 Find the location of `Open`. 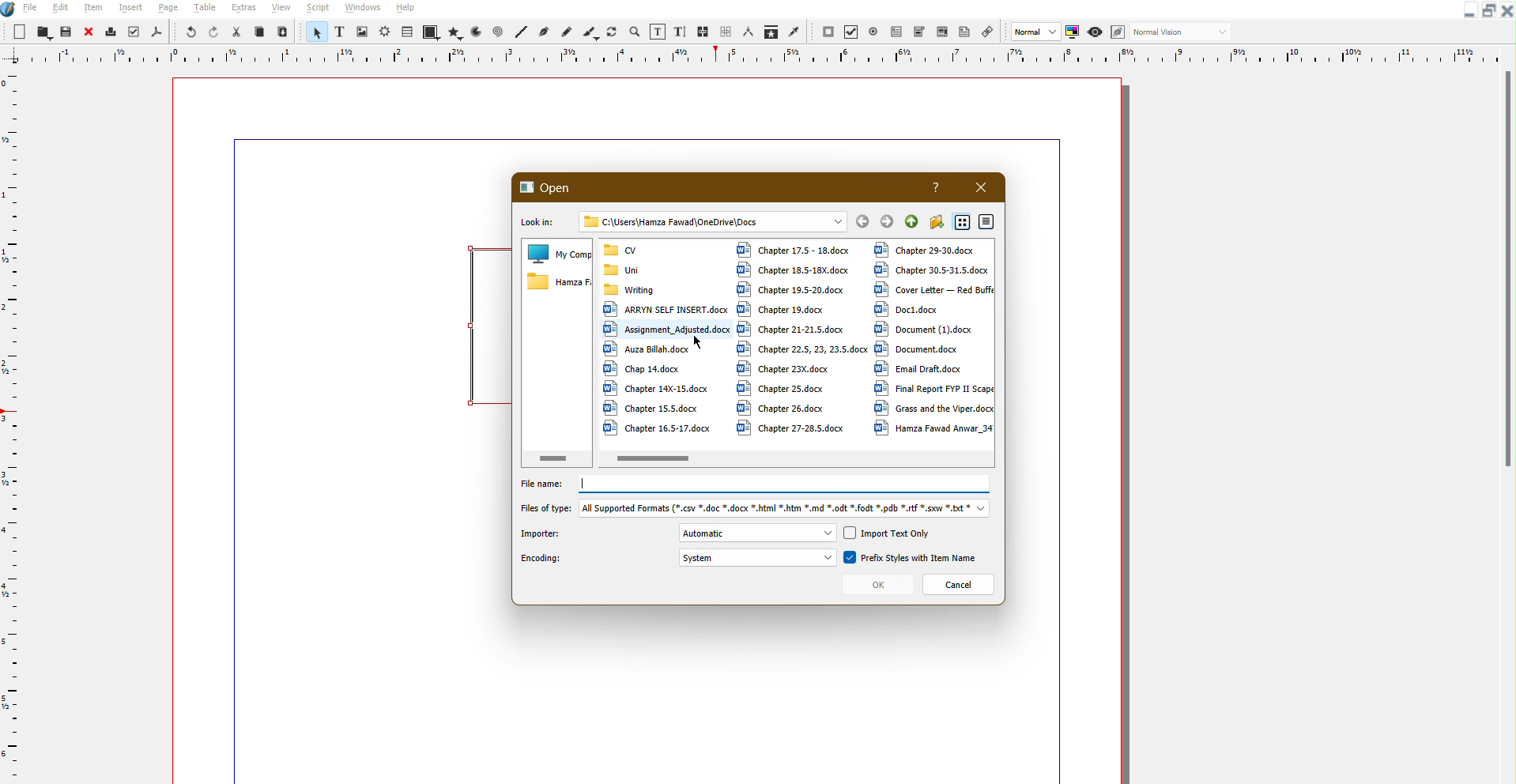

Open is located at coordinates (43, 32).